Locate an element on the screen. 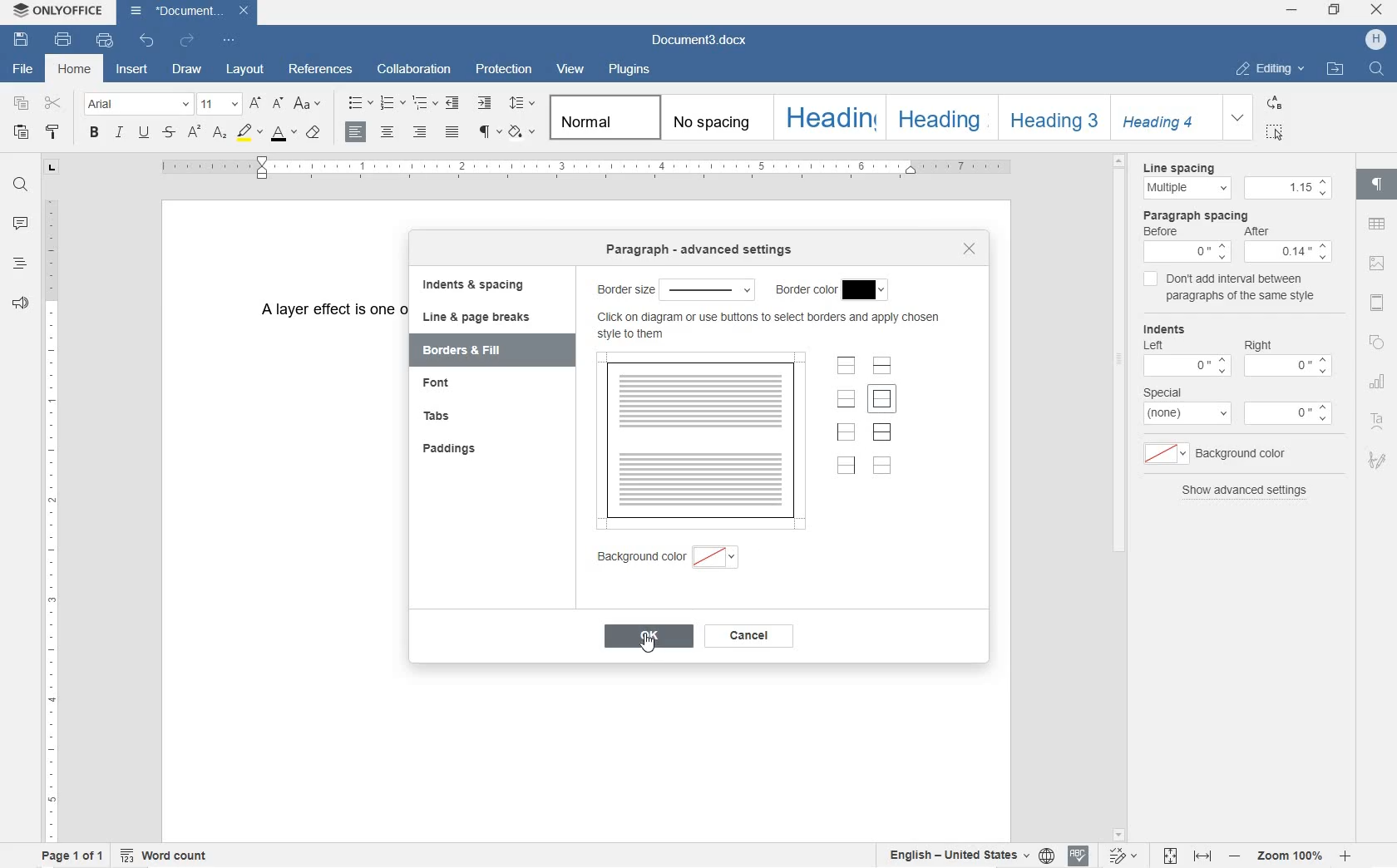  PARAGRAPH LINE SPACING is located at coordinates (522, 104).